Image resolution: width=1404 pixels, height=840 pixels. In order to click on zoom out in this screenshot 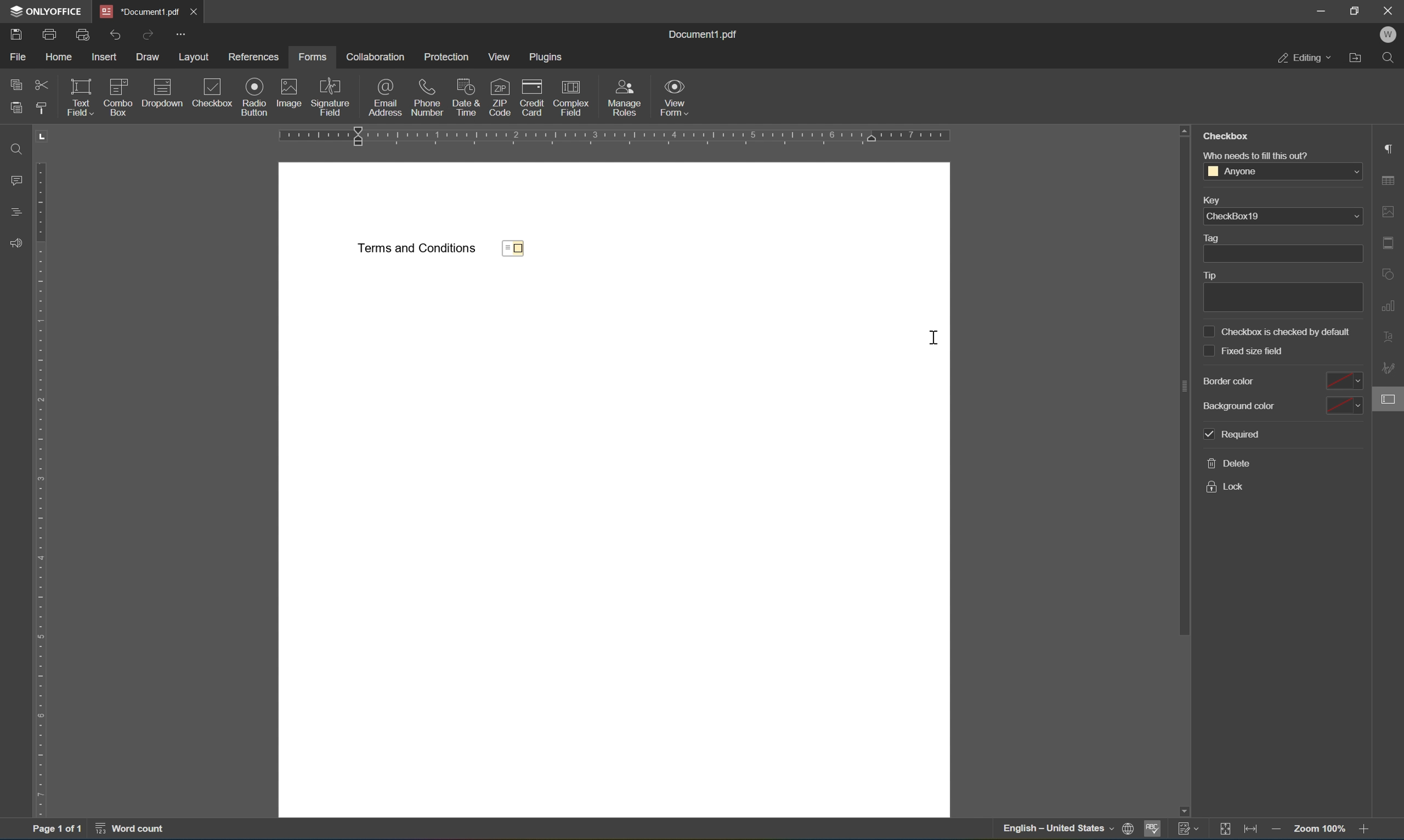, I will do `click(1279, 830)`.